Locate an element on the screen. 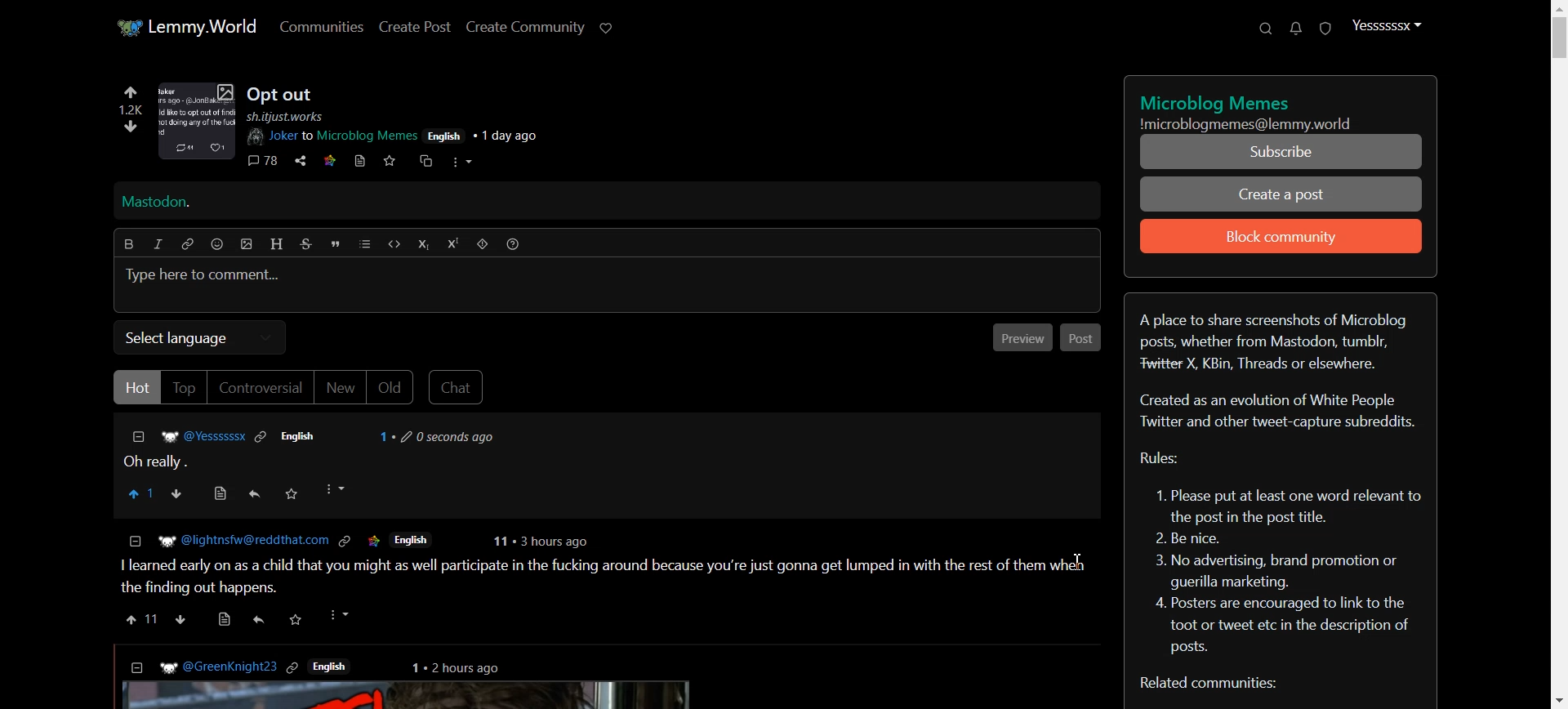 The width and height of the screenshot is (1568, 709). downvote is located at coordinates (132, 125).